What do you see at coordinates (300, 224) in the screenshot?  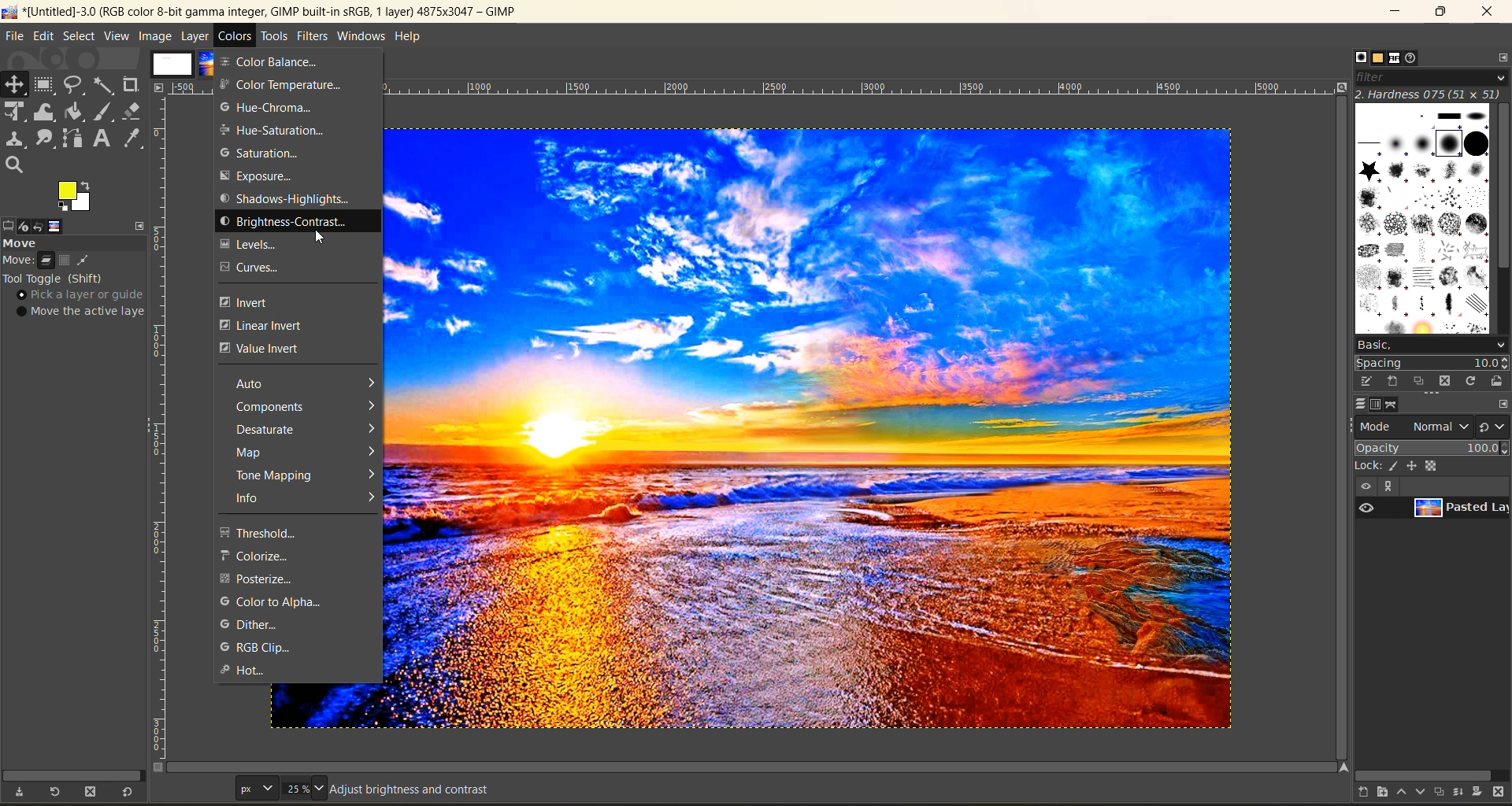 I see `brightness contrast` at bounding box center [300, 224].